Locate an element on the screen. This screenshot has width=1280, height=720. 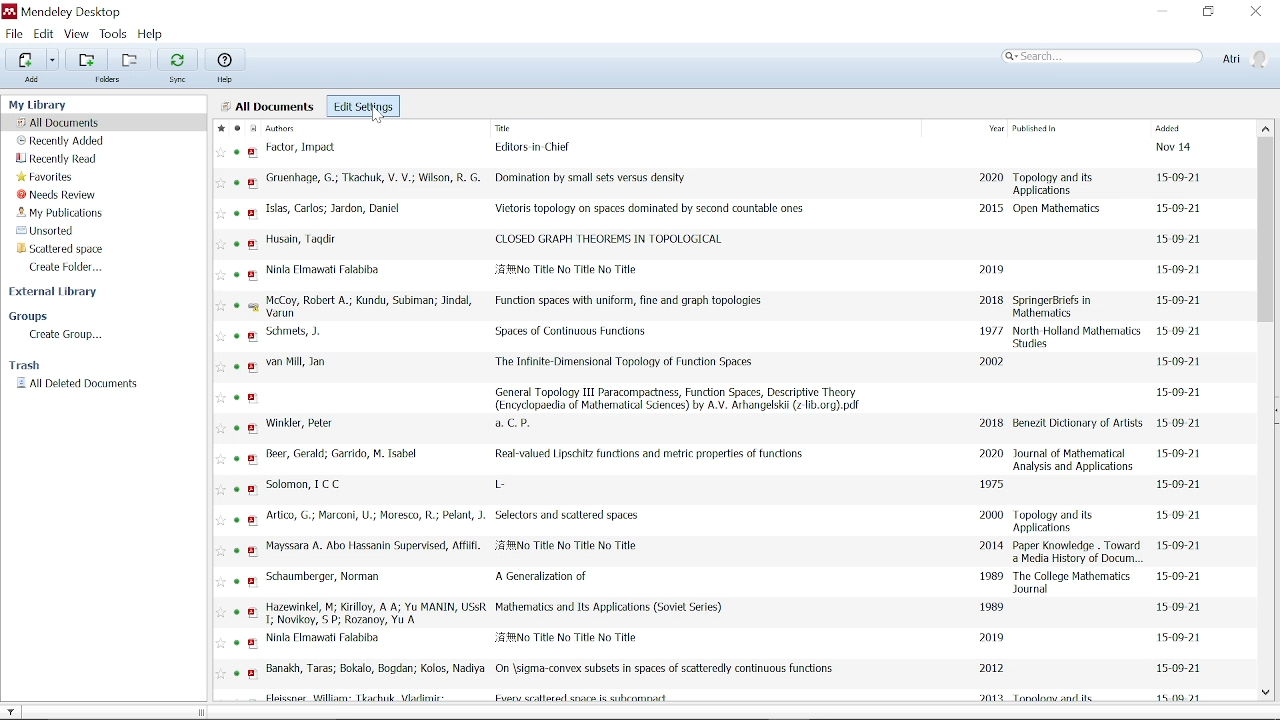
Trash is located at coordinates (30, 365).